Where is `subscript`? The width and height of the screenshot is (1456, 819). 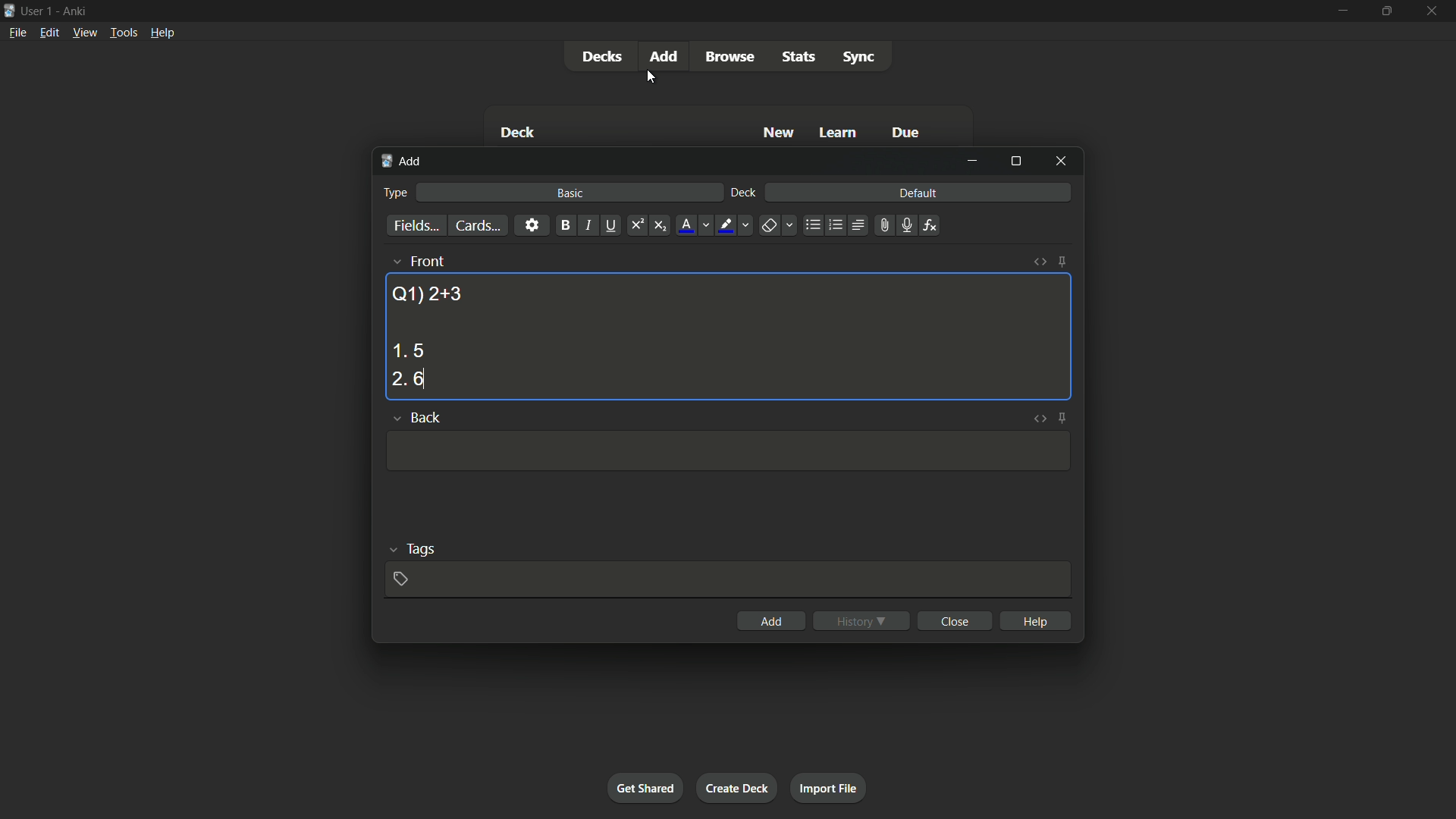
subscript is located at coordinates (660, 226).